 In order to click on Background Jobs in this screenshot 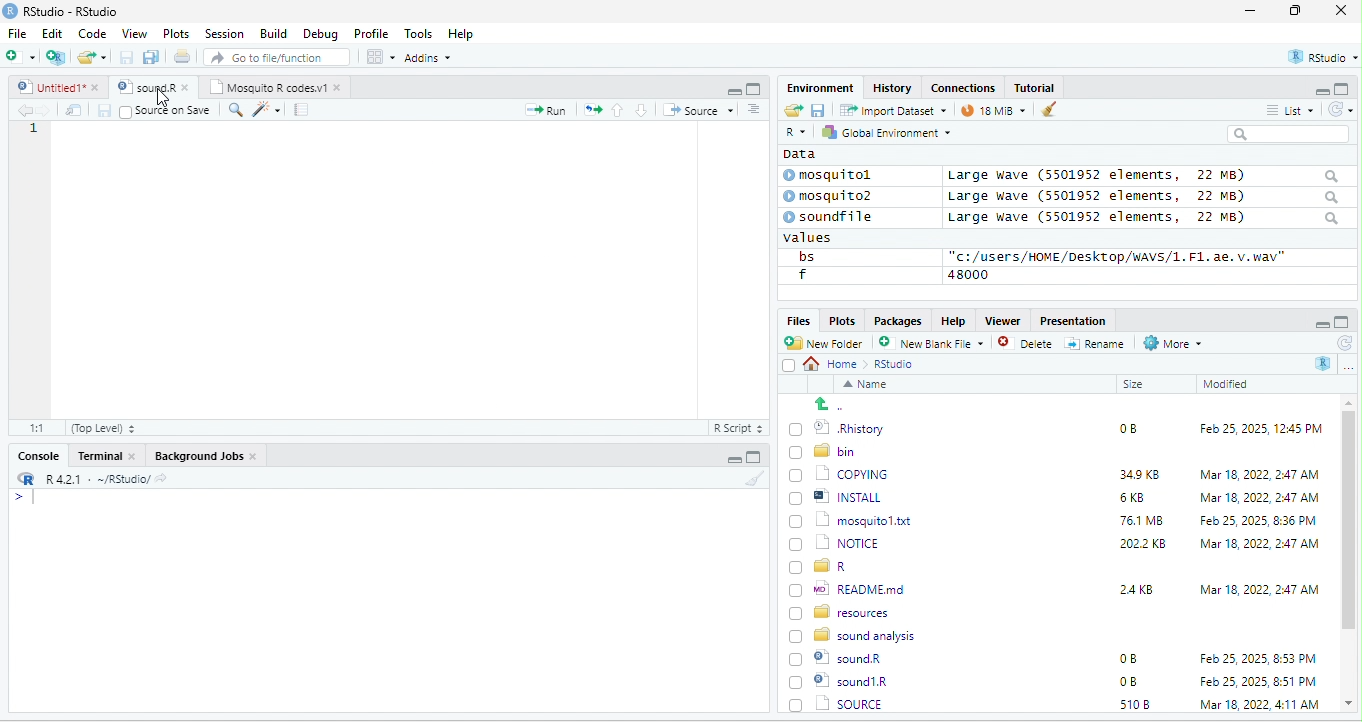, I will do `click(205, 455)`.